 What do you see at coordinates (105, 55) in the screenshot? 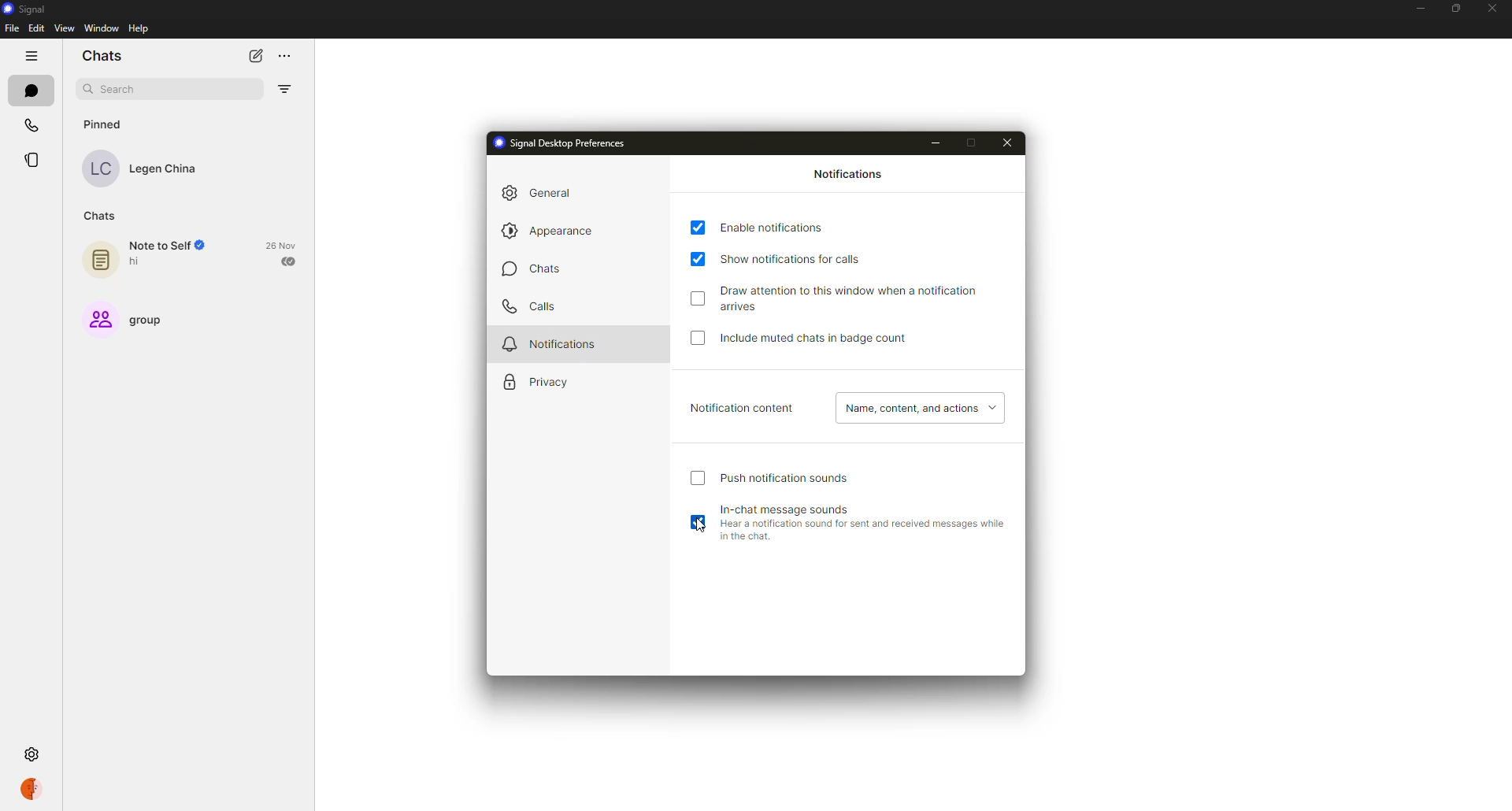
I see `chats` at bounding box center [105, 55].